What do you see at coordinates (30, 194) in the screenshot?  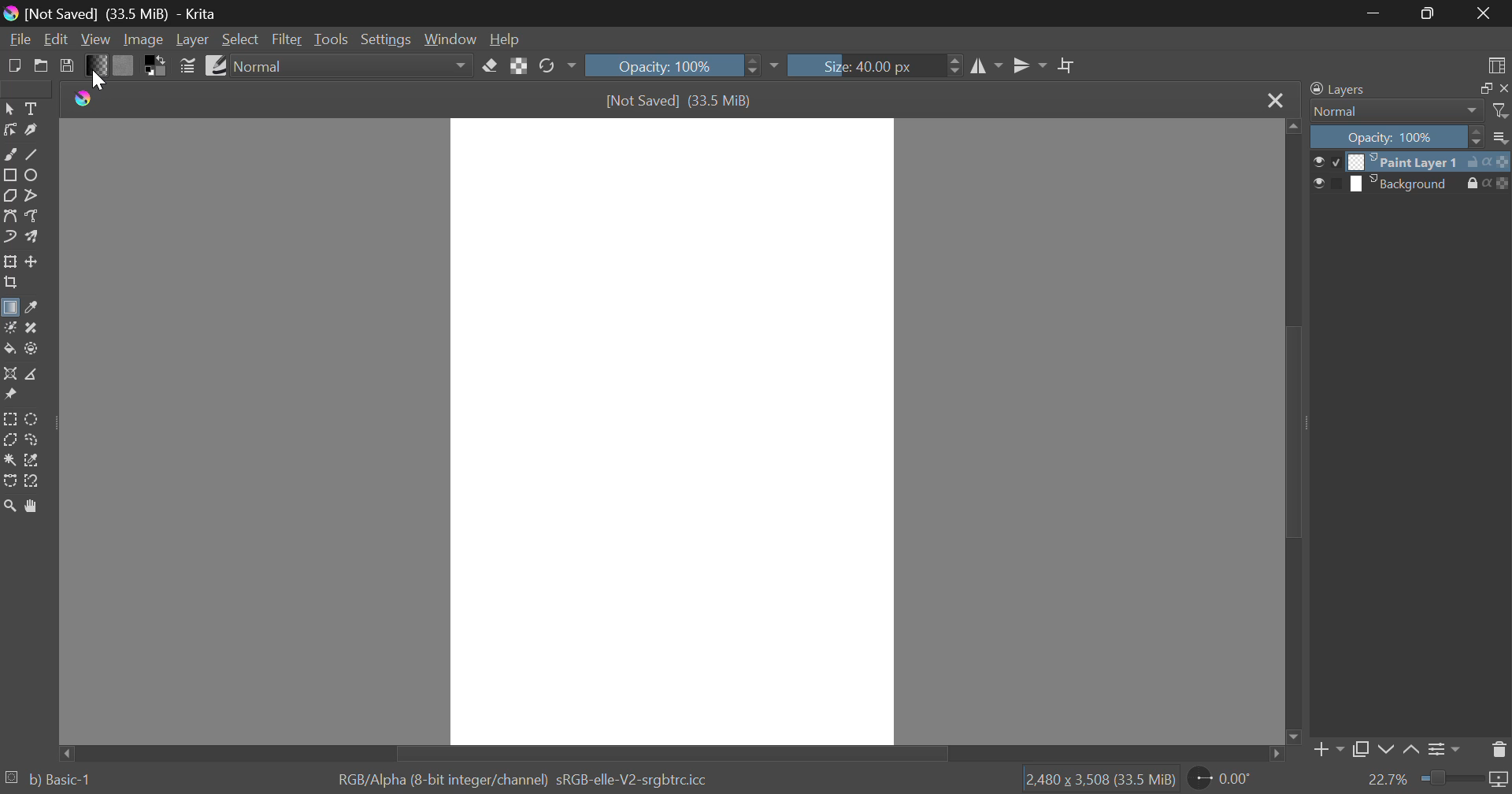 I see `Polyline` at bounding box center [30, 194].